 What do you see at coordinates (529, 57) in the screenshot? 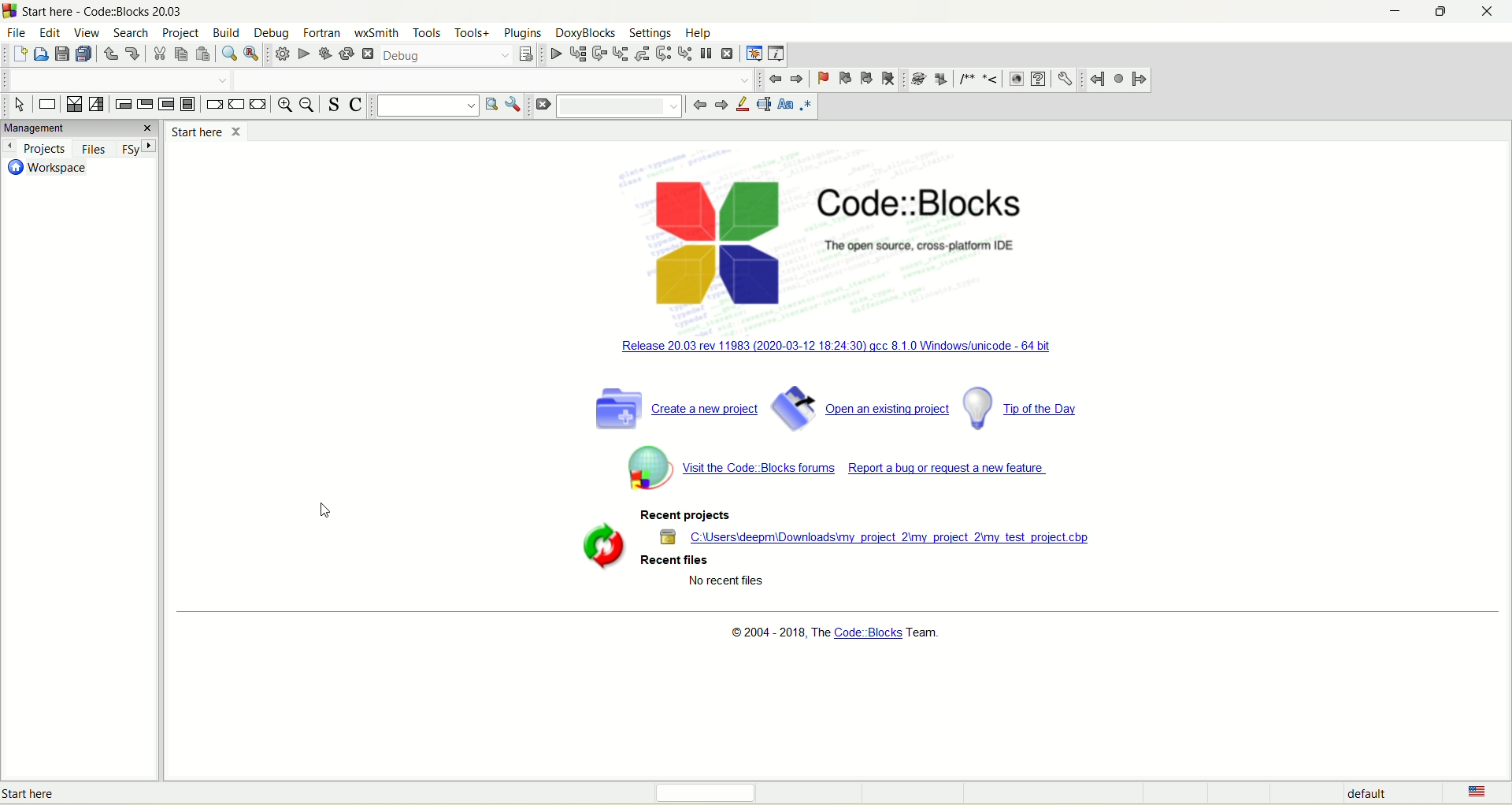
I see `select target dialog` at bounding box center [529, 57].